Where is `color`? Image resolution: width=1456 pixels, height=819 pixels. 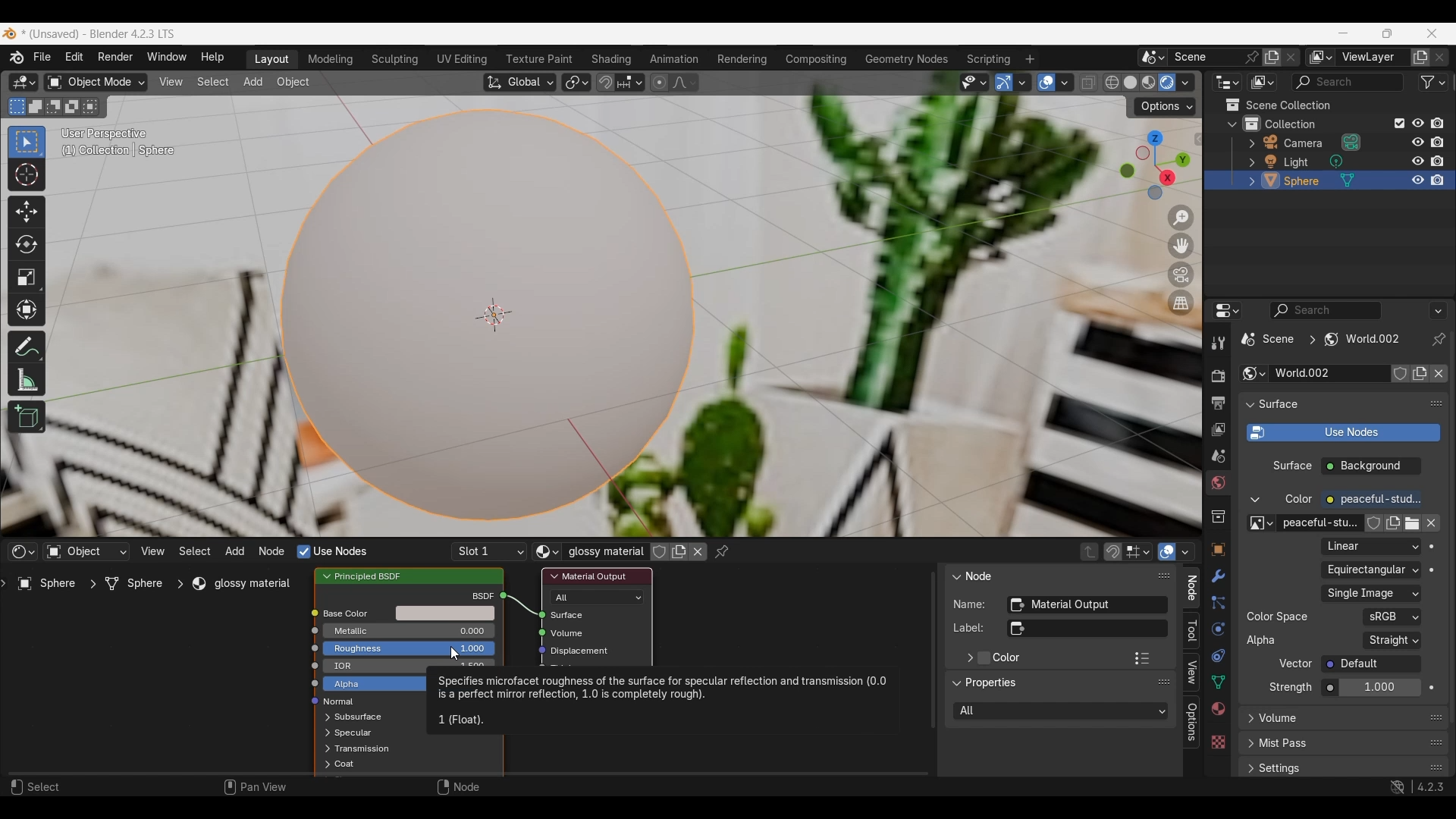
color is located at coordinates (1299, 500).